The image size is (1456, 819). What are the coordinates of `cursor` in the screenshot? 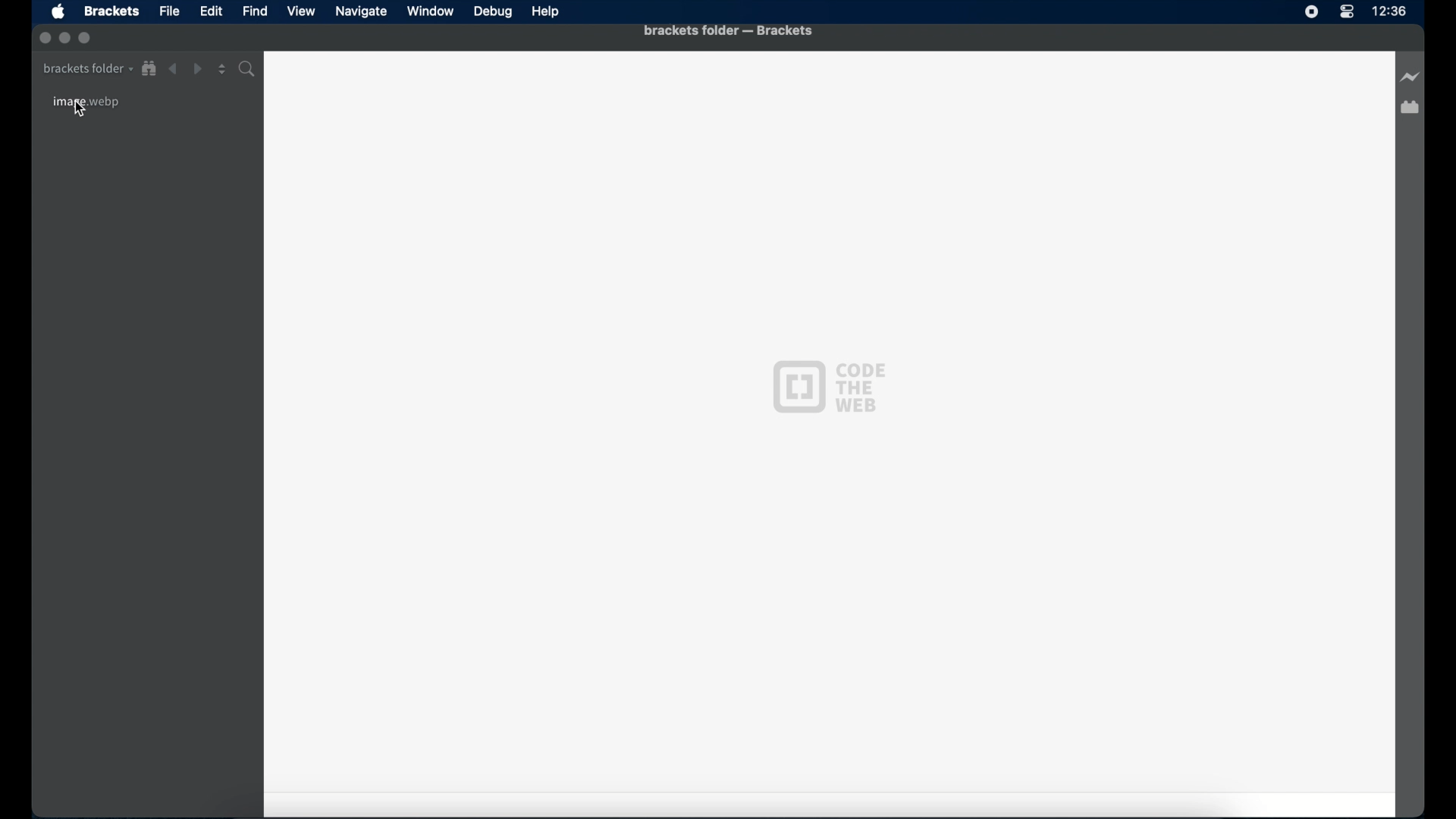 It's located at (78, 110).